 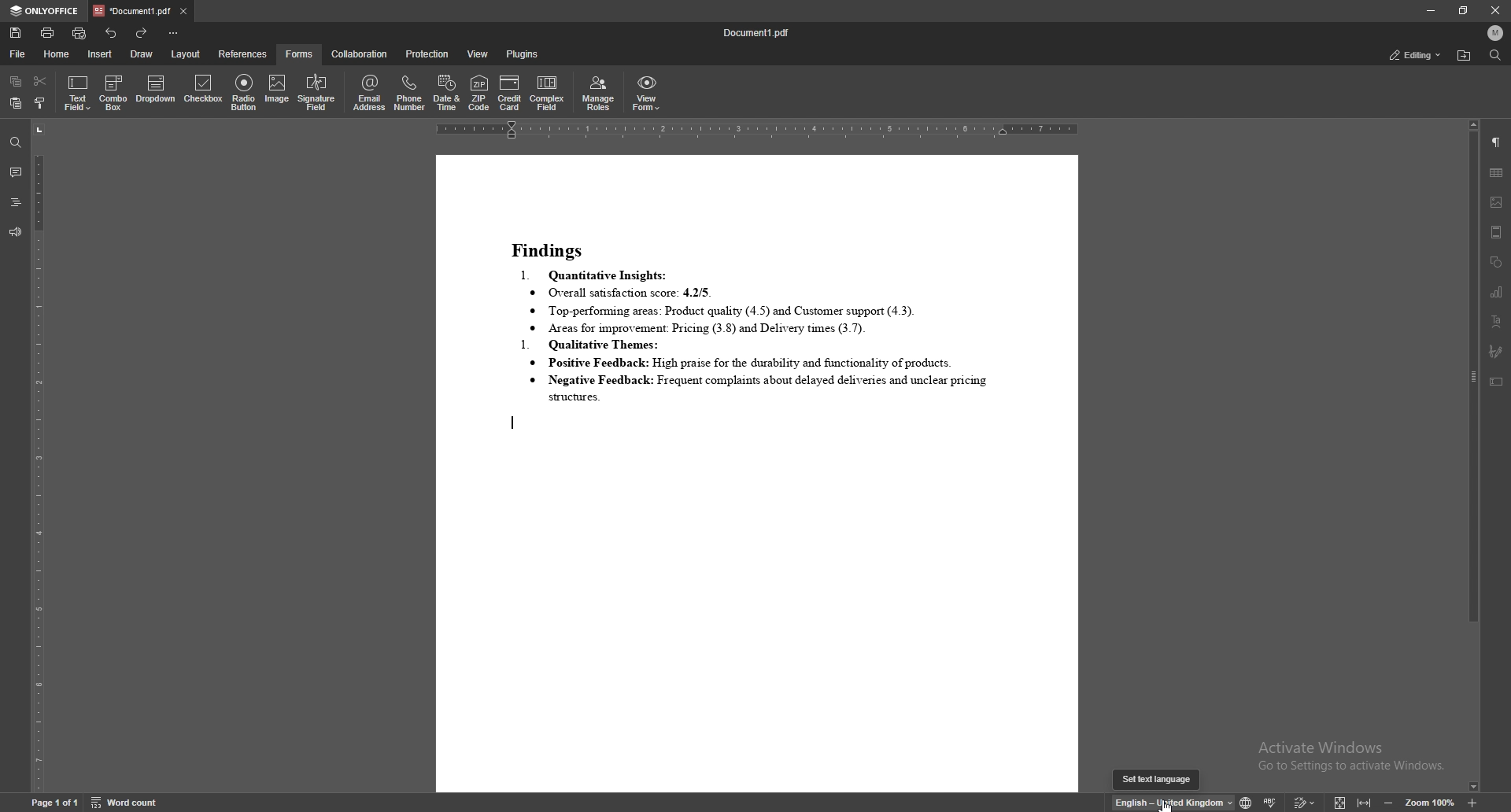 What do you see at coordinates (757, 131) in the screenshot?
I see `horizontal scale` at bounding box center [757, 131].